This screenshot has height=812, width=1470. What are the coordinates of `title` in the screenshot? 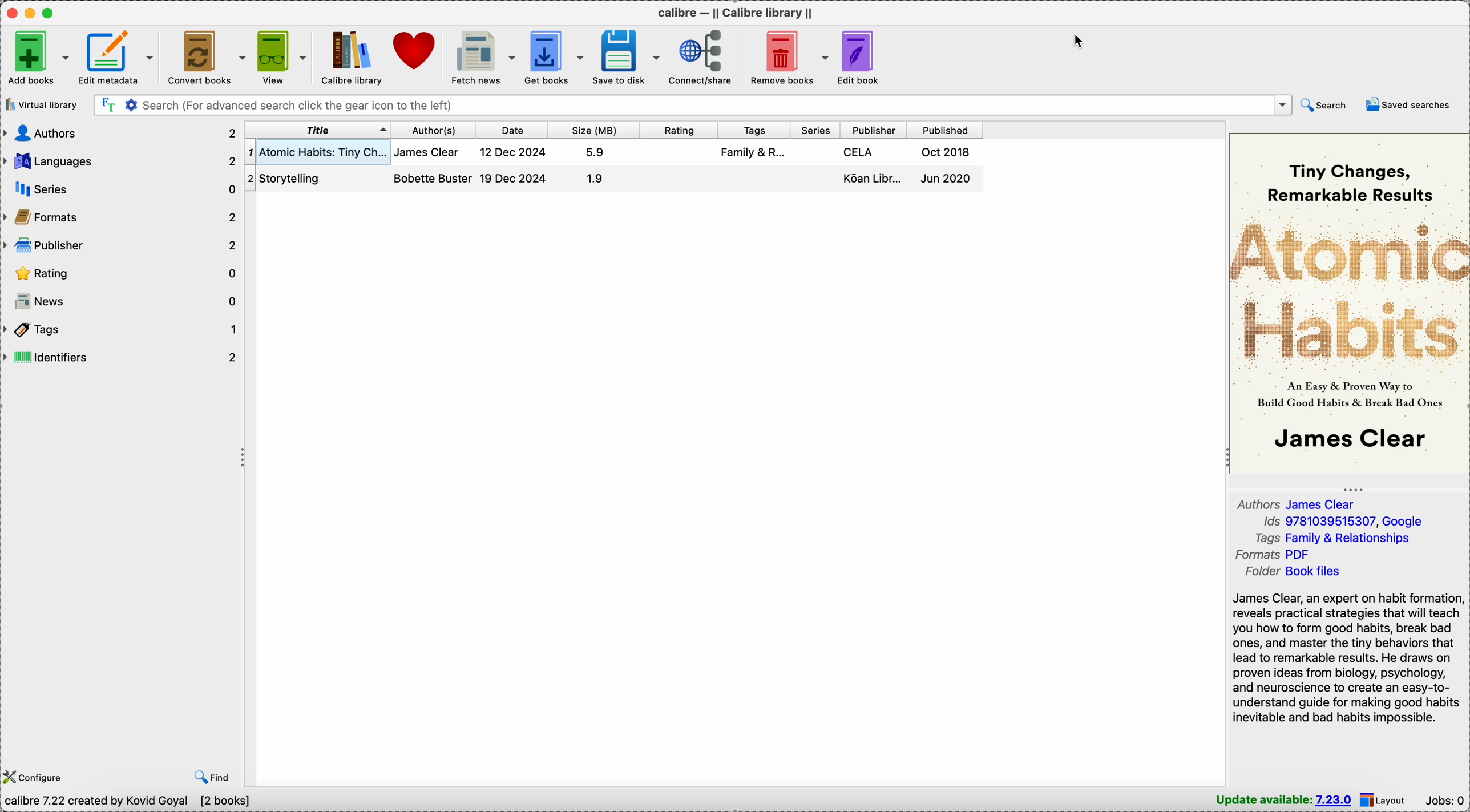 It's located at (316, 131).